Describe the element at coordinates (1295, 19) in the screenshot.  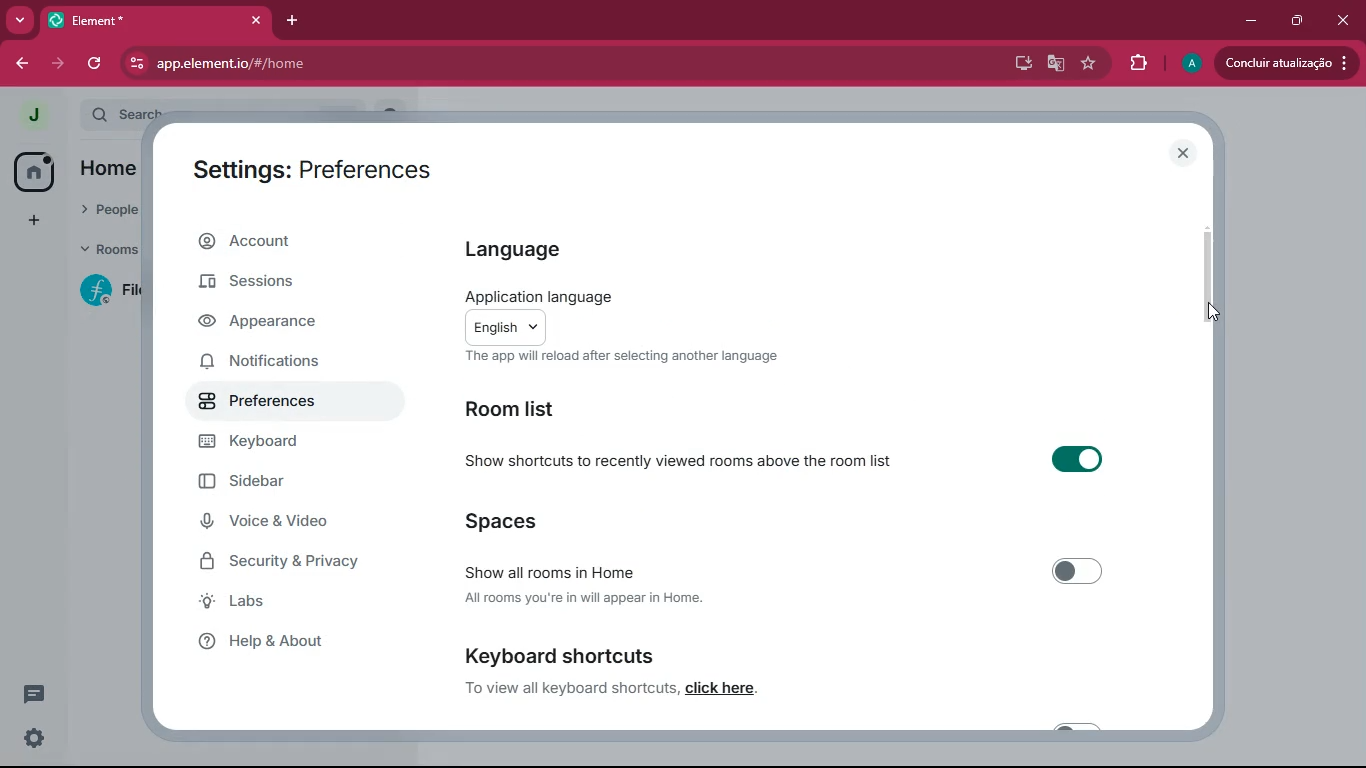
I see `maximize` at that location.